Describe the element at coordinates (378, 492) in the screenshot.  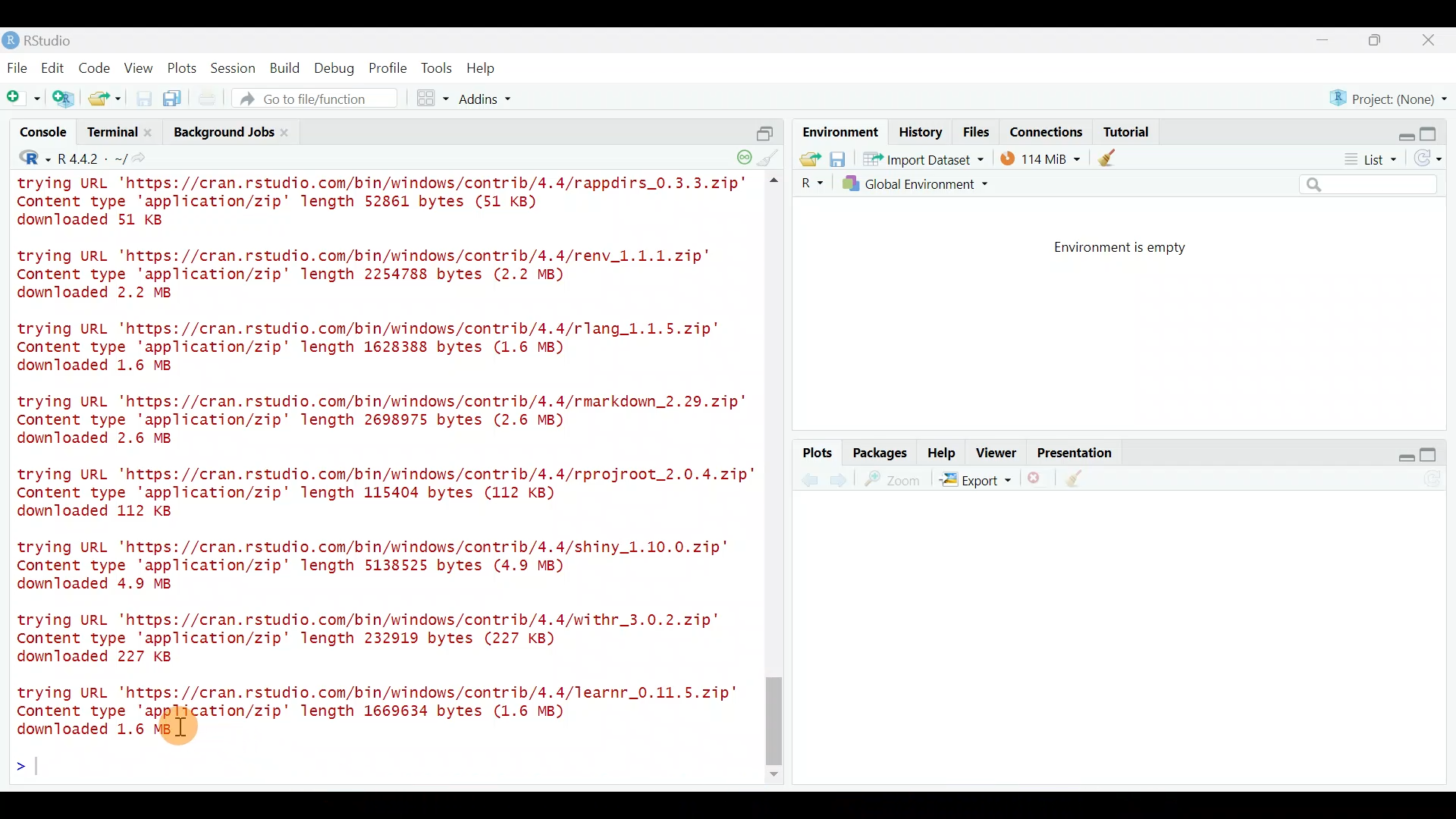
I see `trying URL 'https://cran.rstudio.com/bin/windows/contrib/4.4/rprojroot_2.0.4.zip"
Content type 'application/zip' length 115404 bytes (112 KB)
downloaded 112 KB` at that location.